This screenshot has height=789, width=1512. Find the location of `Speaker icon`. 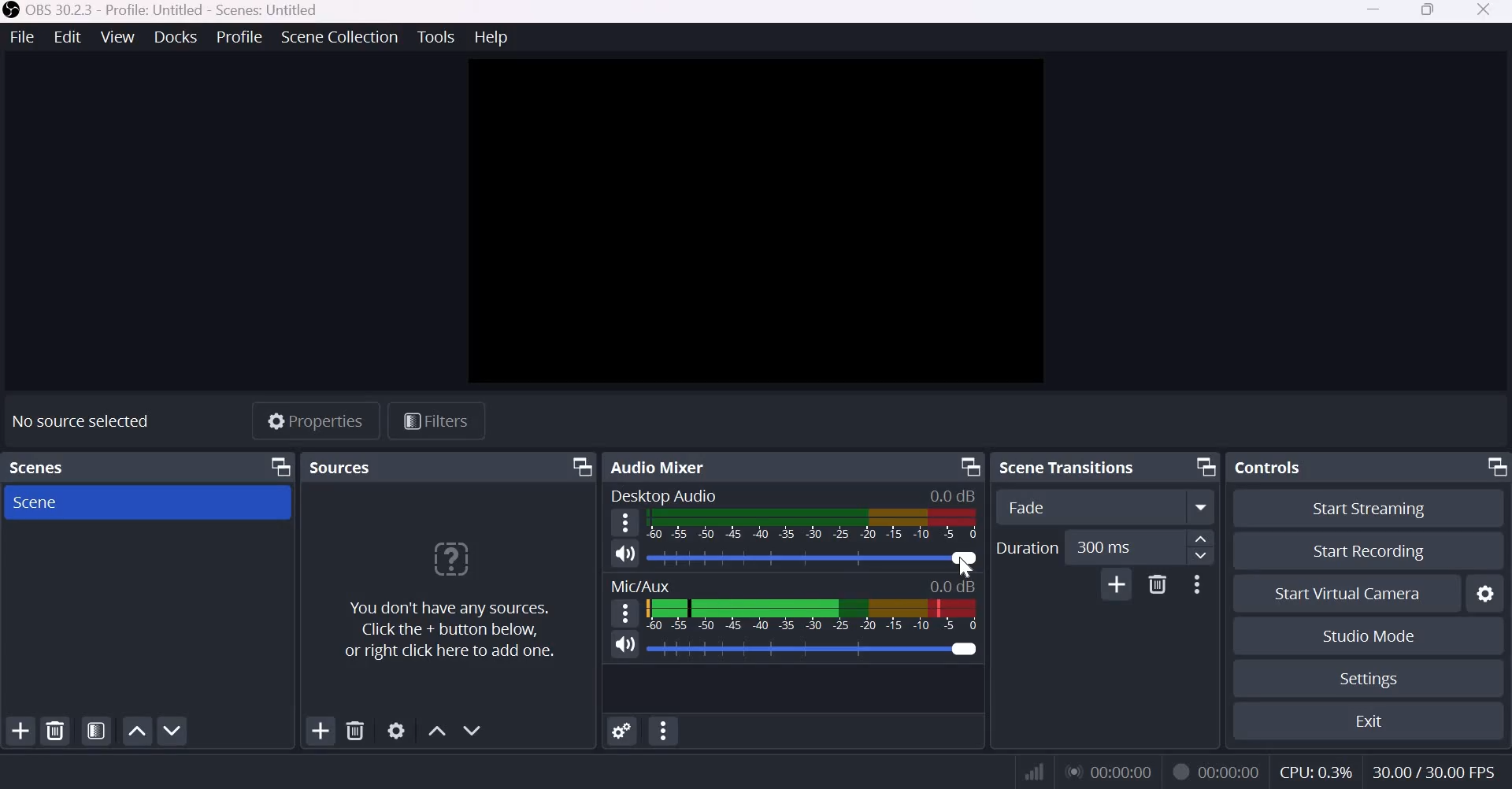

Speaker icon is located at coordinates (623, 645).